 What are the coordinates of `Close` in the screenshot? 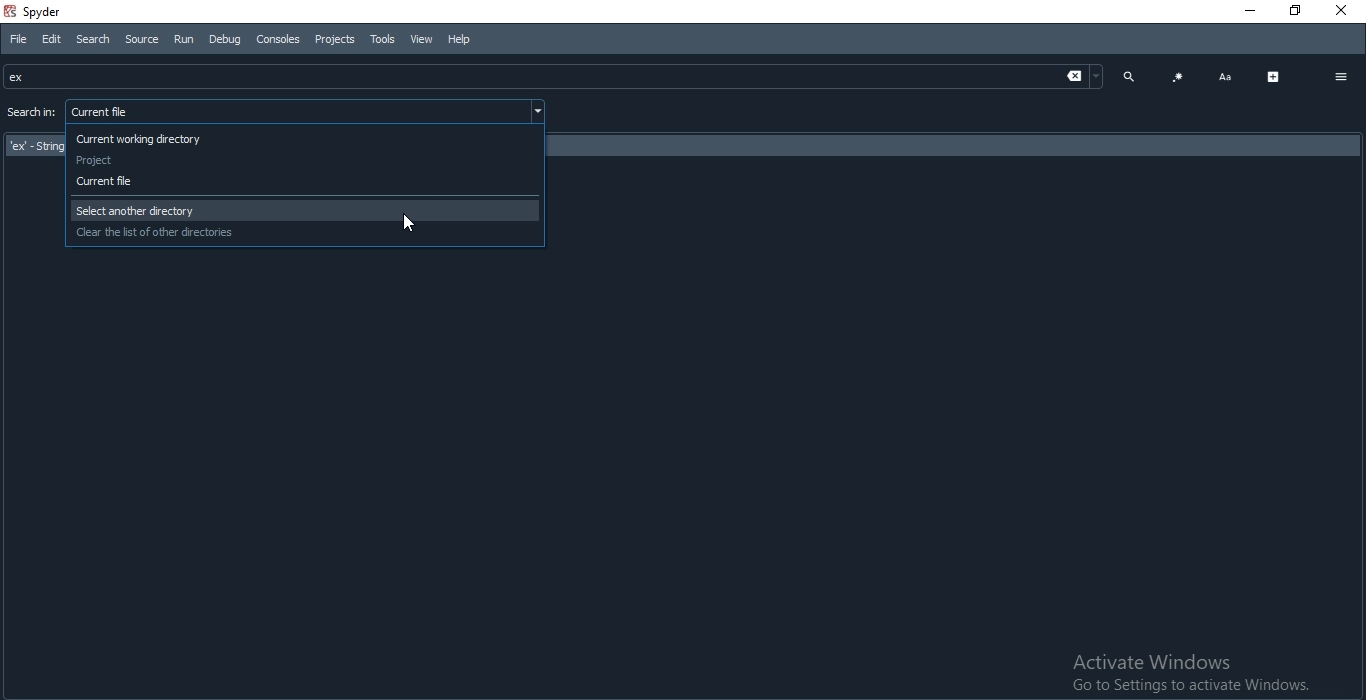 It's located at (1345, 12).